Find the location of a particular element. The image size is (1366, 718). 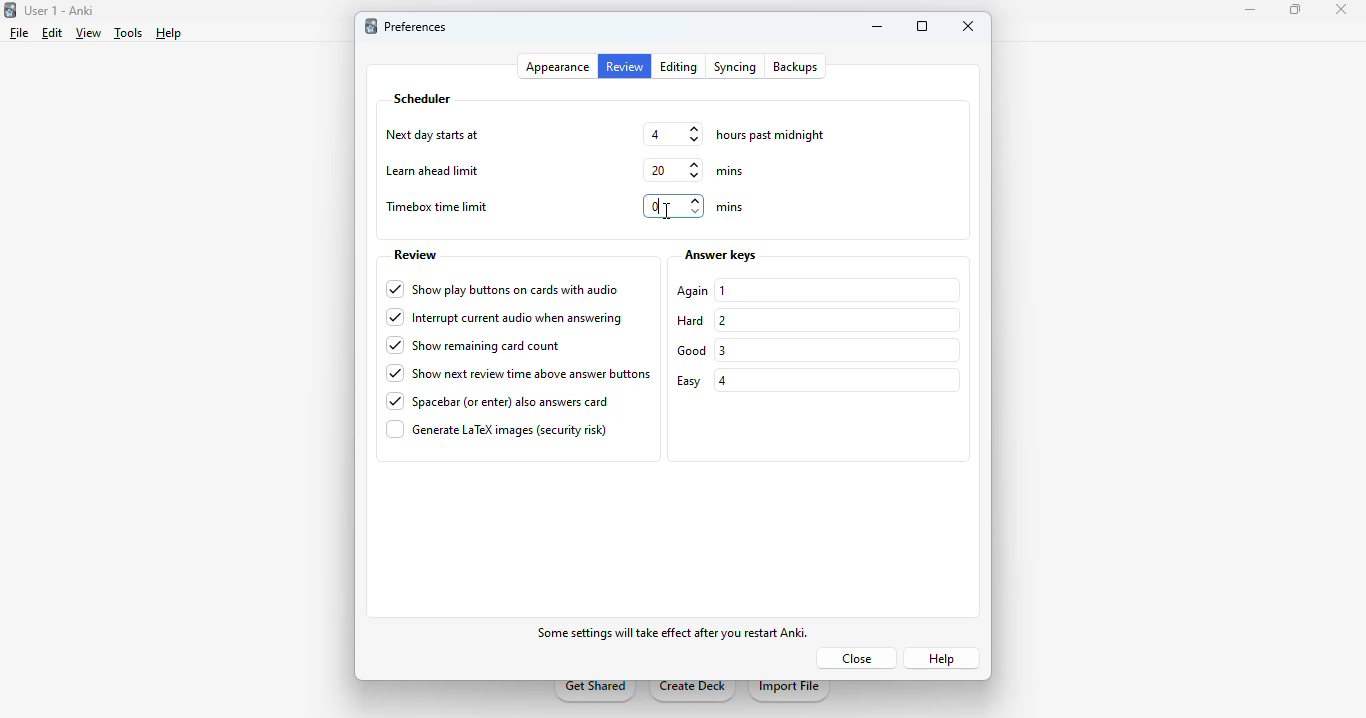

get shared is located at coordinates (596, 691).